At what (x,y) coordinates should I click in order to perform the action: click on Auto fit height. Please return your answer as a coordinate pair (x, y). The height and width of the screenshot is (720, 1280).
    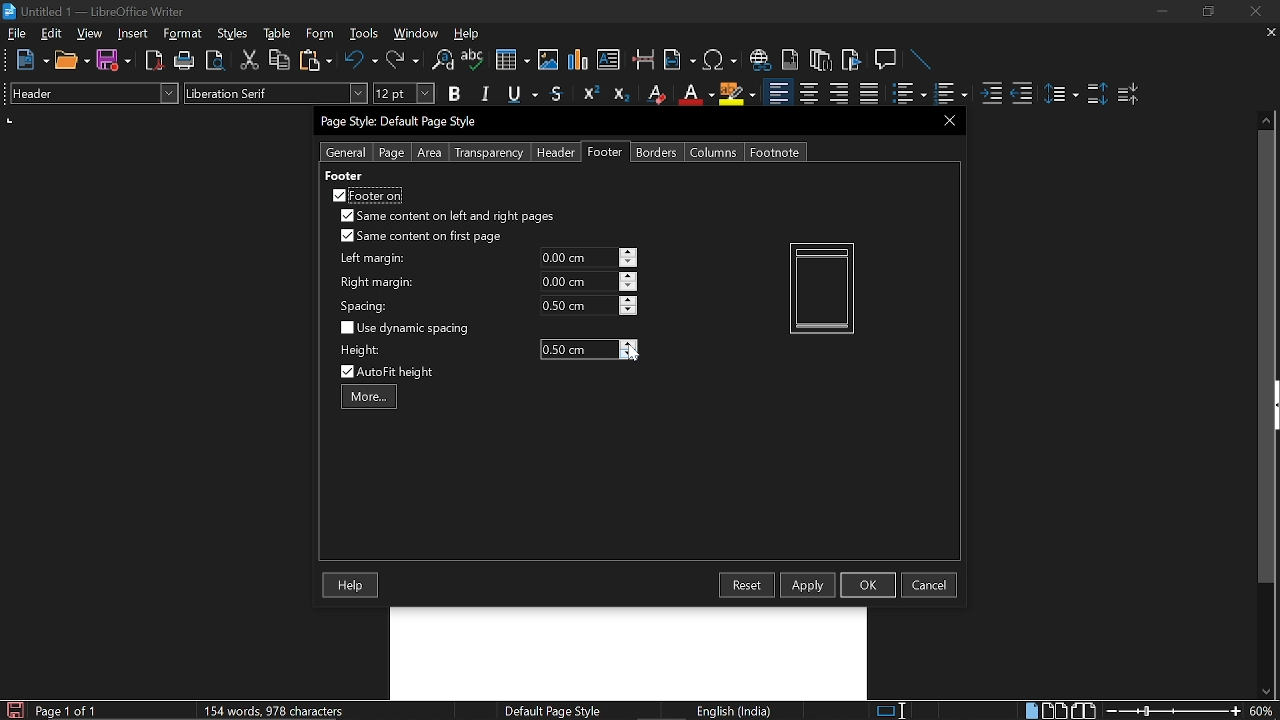
    Looking at the image, I should click on (400, 372).